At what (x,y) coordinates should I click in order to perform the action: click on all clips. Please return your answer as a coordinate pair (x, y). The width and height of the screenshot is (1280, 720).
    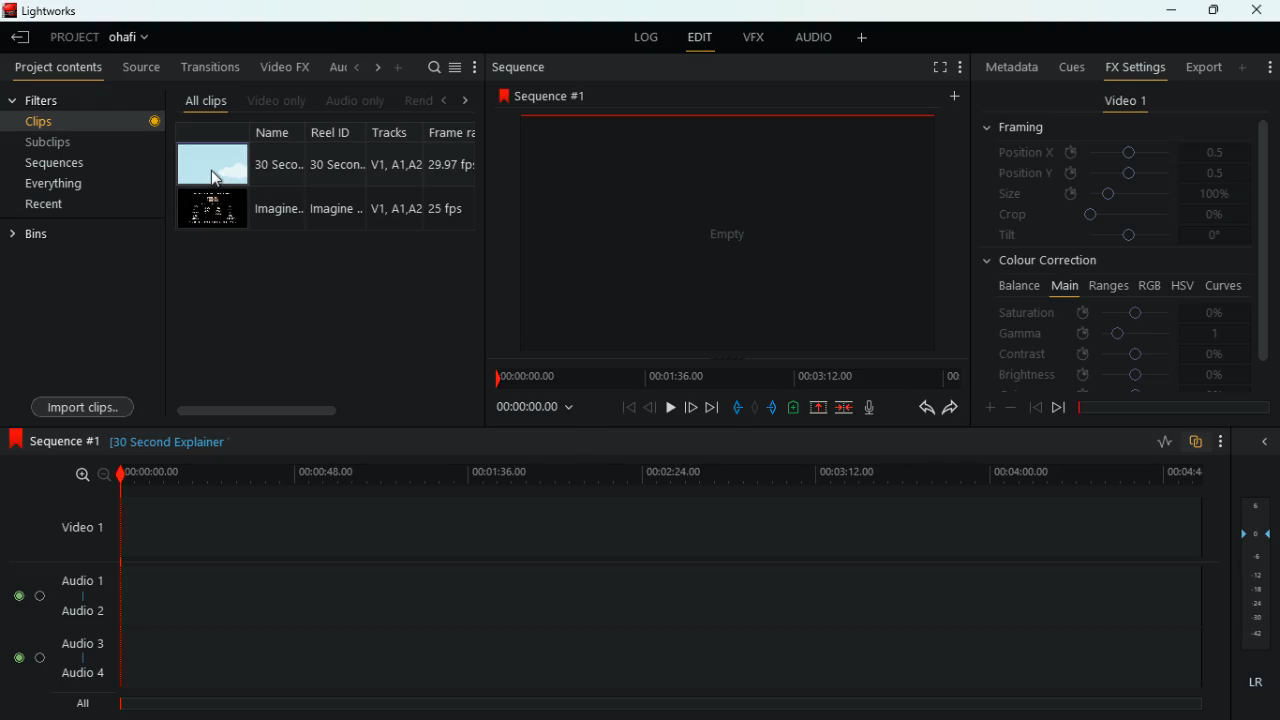
    Looking at the image, I should click on (202, 98).